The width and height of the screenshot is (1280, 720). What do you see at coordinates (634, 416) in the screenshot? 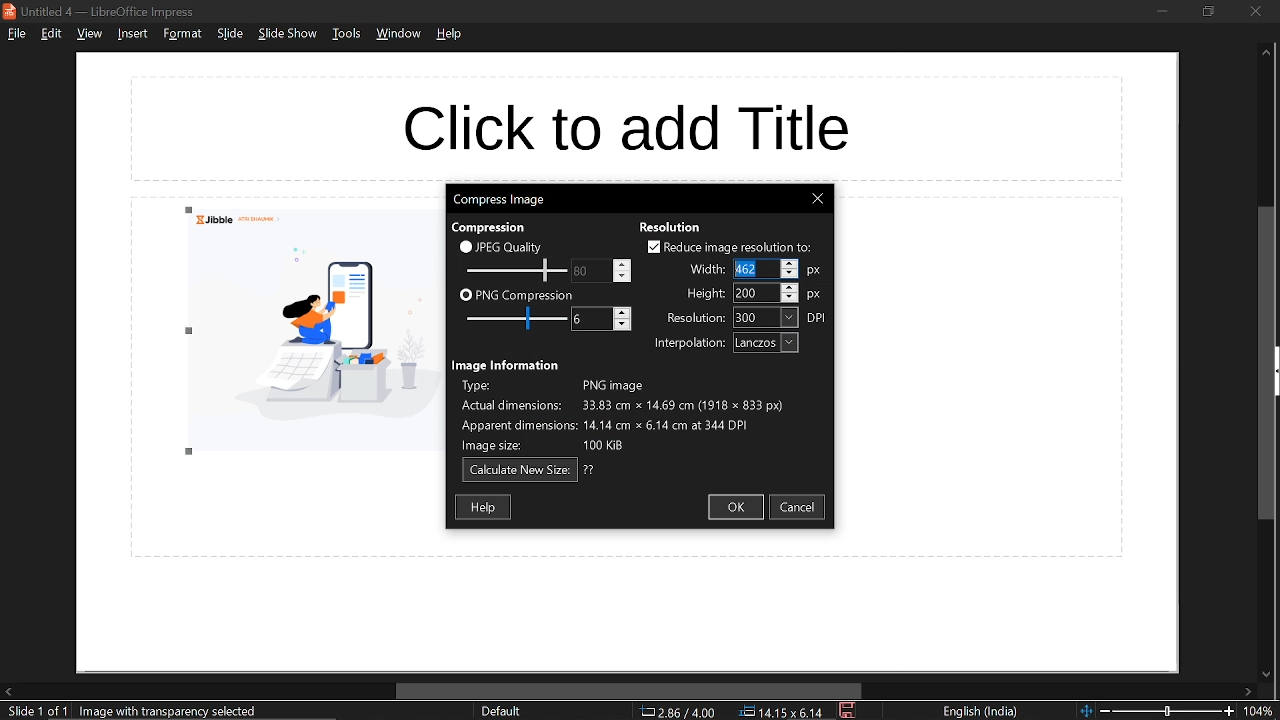
I see `image information describing type of image, actual dimensions, apparent dimensions and image size` at bounding box center [634, 416].